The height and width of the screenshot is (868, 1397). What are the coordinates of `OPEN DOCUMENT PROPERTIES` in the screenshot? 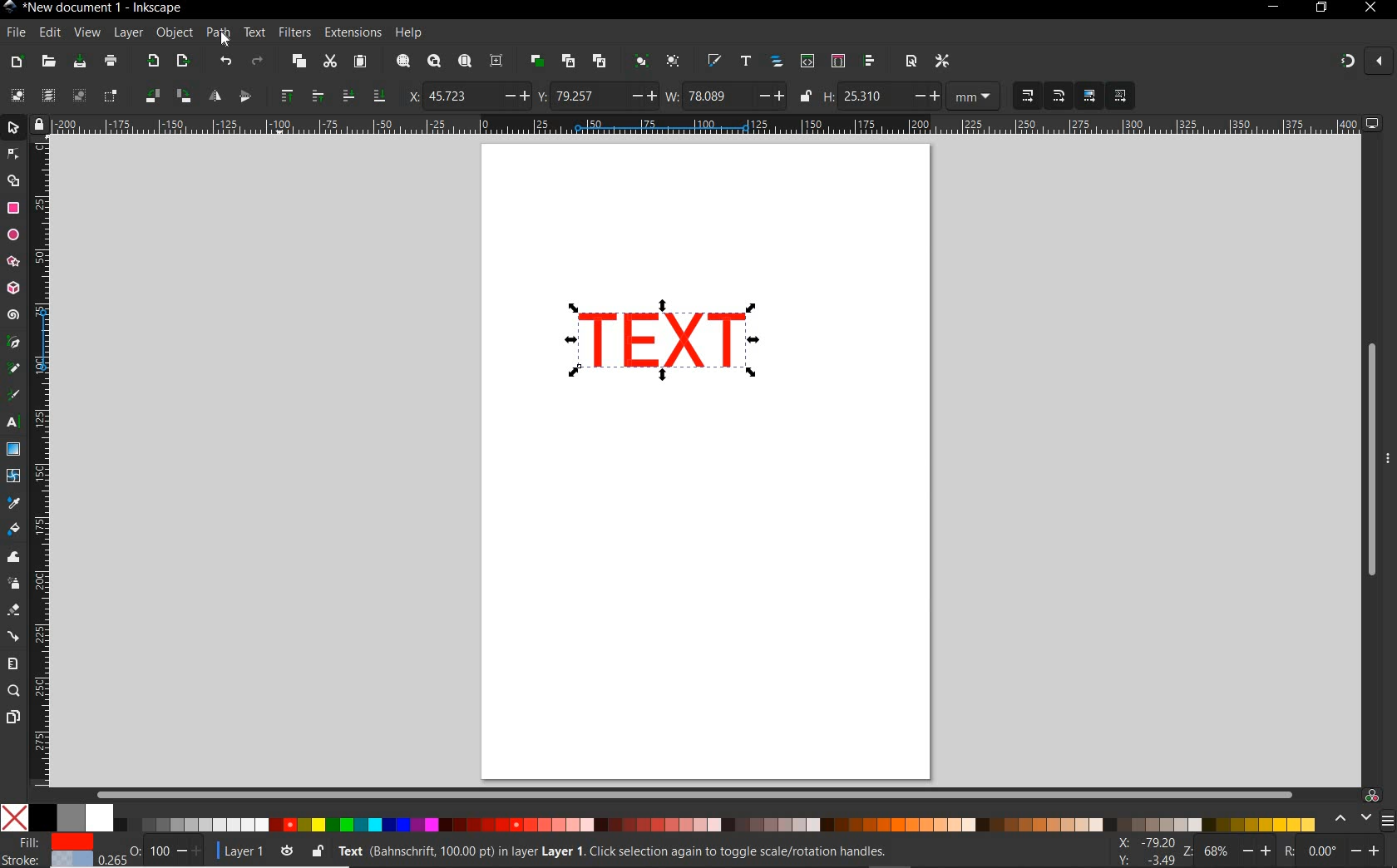 It's located at (911, 61).